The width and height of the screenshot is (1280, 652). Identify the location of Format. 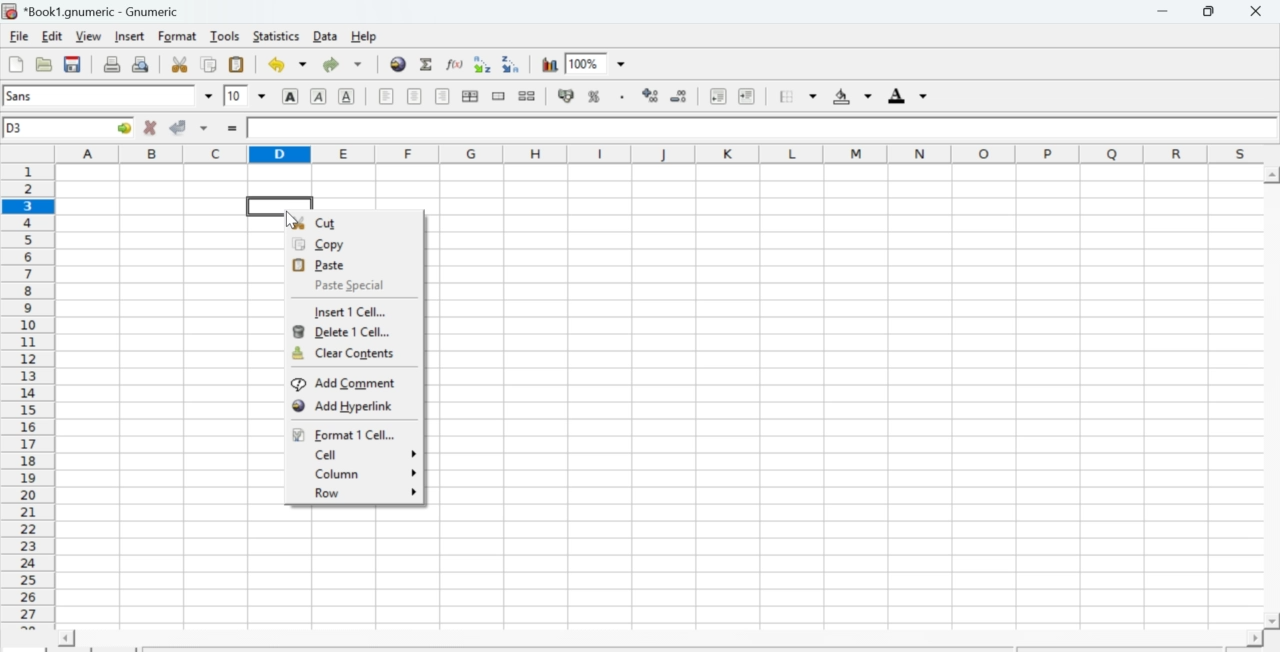
(178, 36).